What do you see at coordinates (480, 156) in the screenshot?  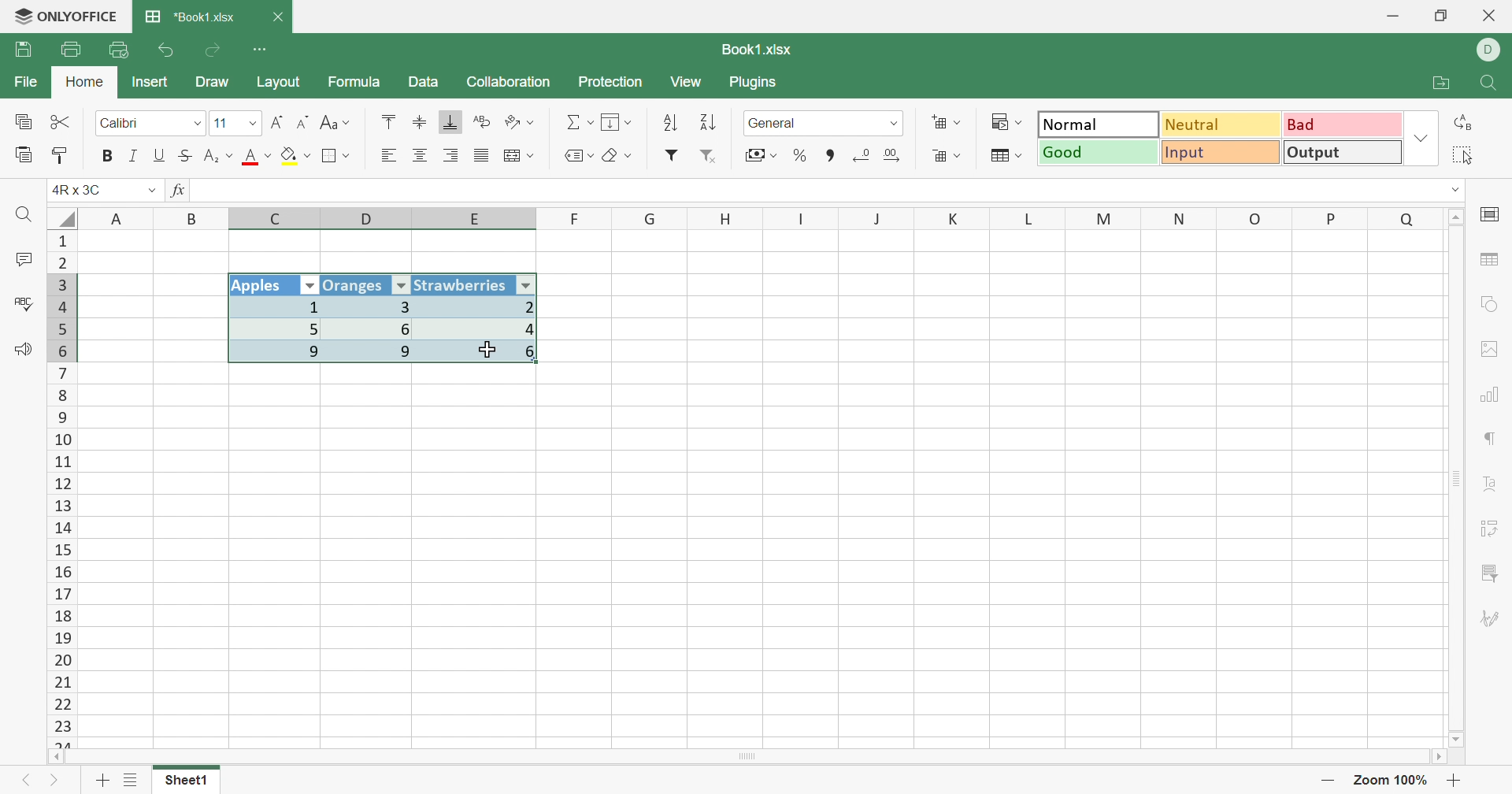 I see `Justified` at bounding box center [480, 156].